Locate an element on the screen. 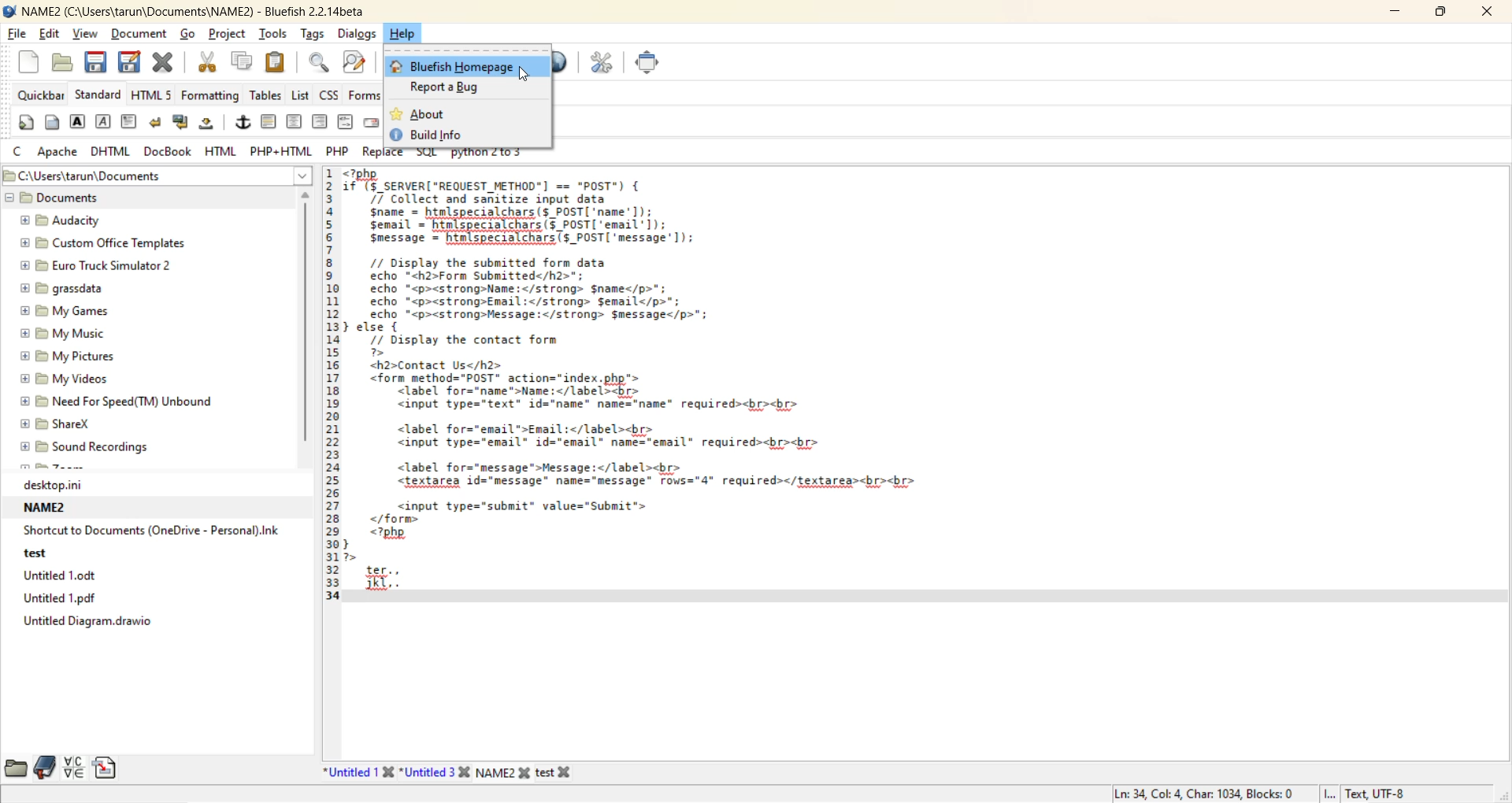 This screenshot has width=1512, height=803. formatting is located at coordinates (213, 96).